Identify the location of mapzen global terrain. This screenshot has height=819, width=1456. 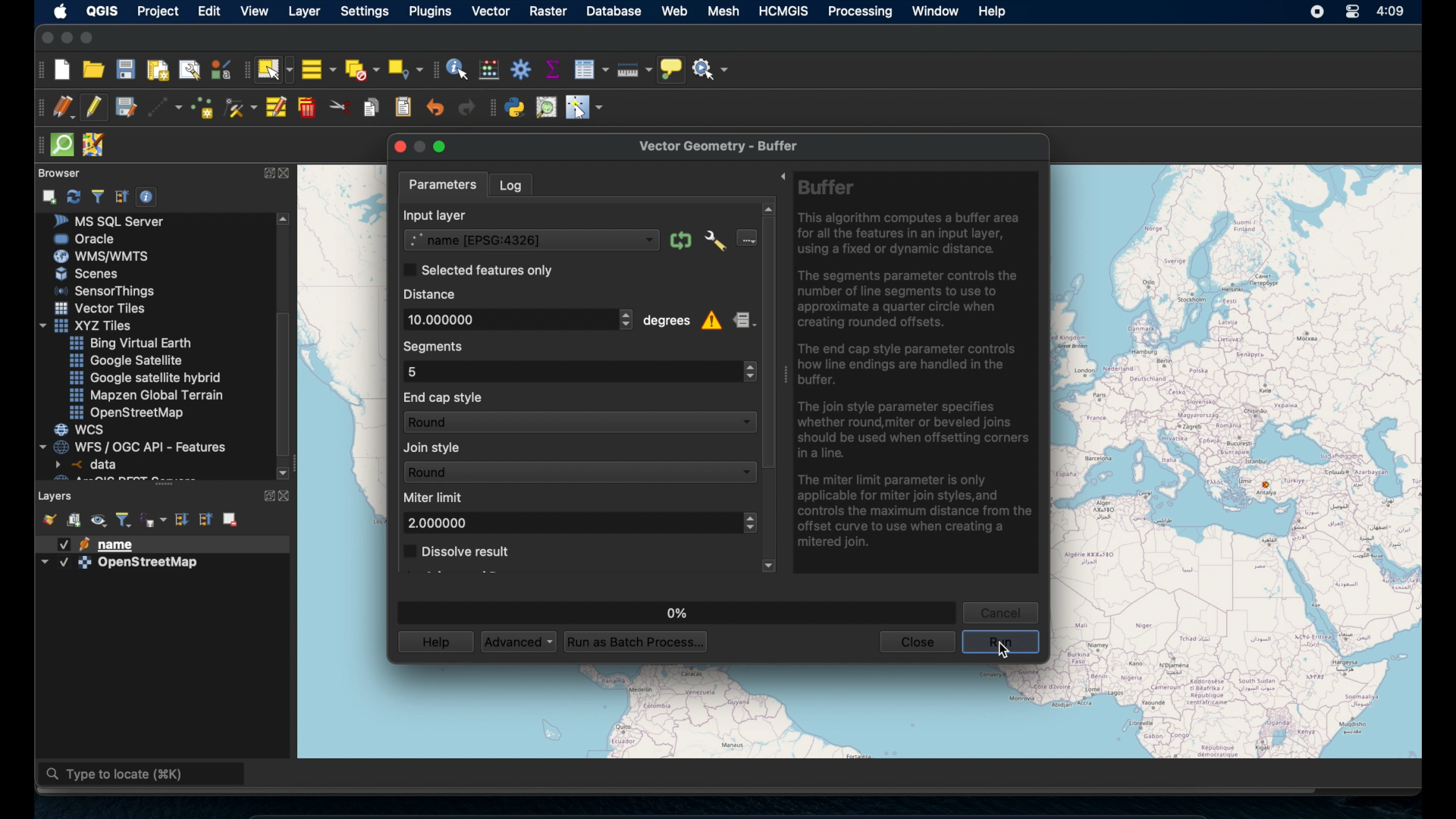
(147, 394).